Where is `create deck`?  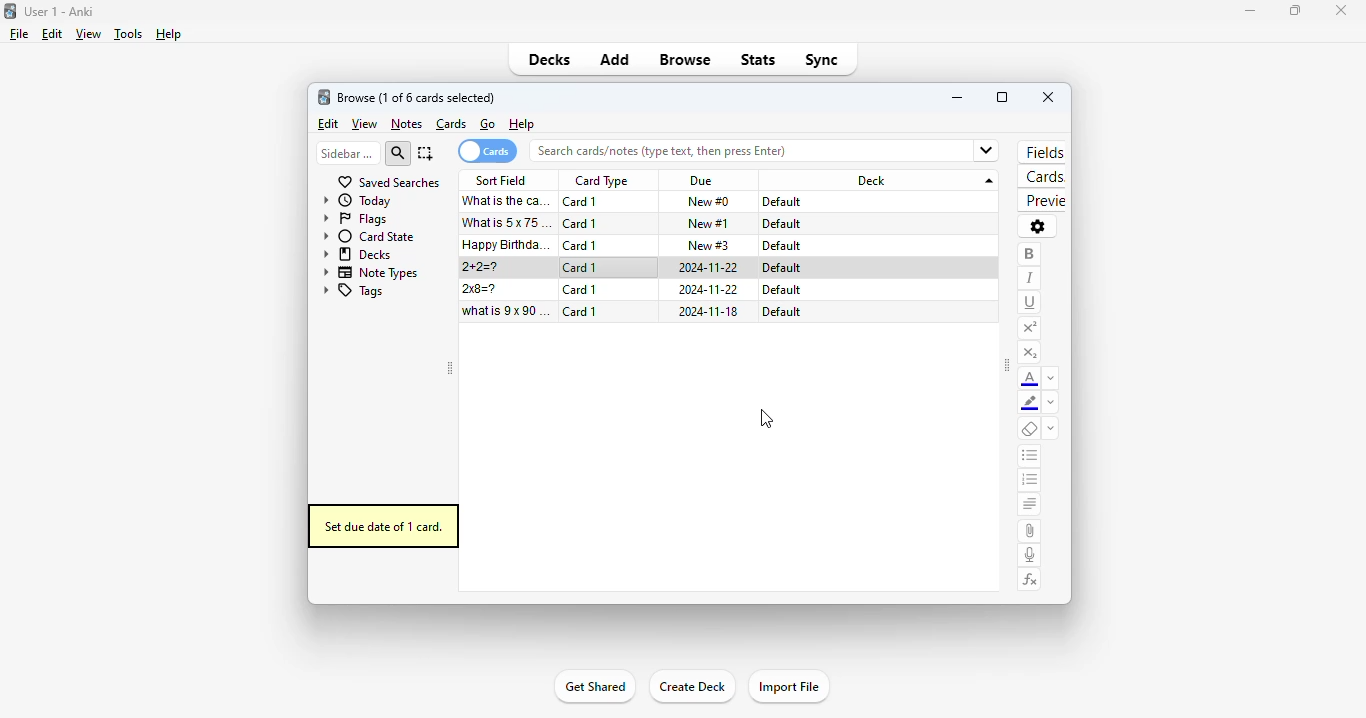
create deck is located at coordinates (692, 687).